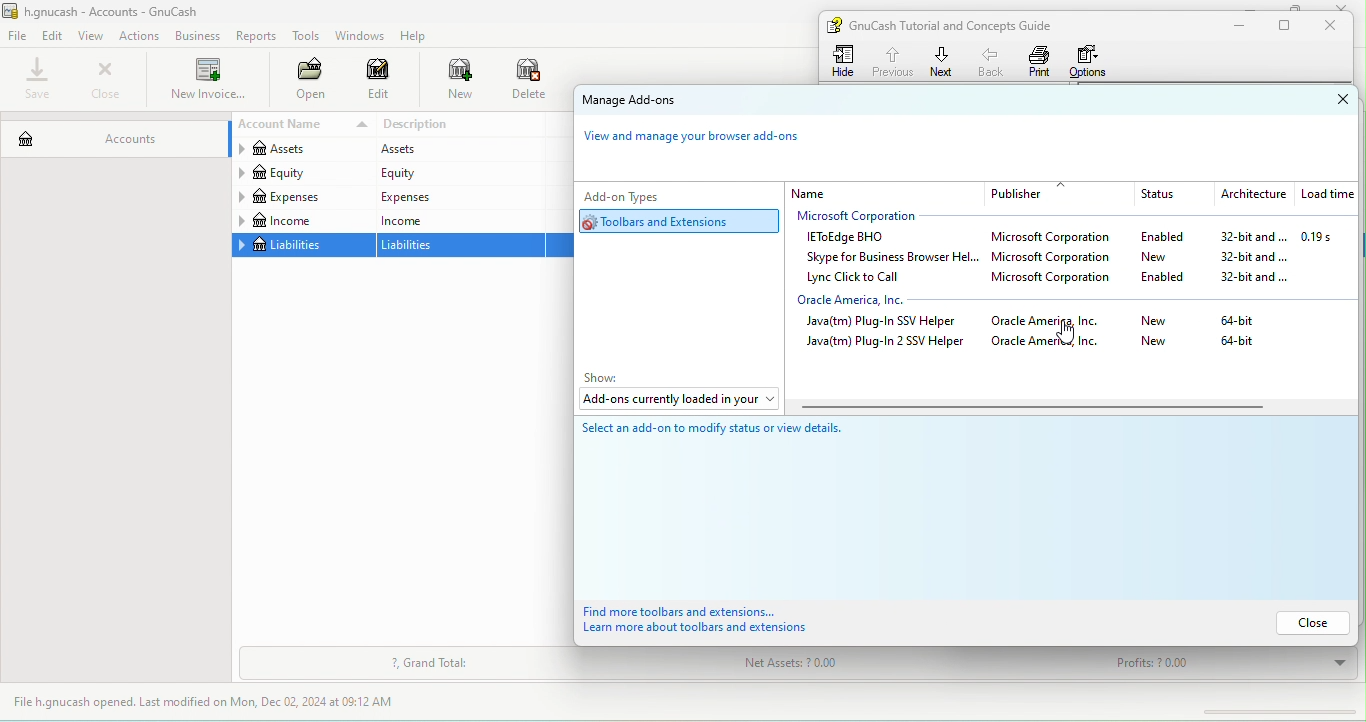 The height and width of the screenshot is (722, 1366). Describe the element at coordinates (959, 25) in the screenshot. I see `gnu cash tutorial and concepts guide` at that location.